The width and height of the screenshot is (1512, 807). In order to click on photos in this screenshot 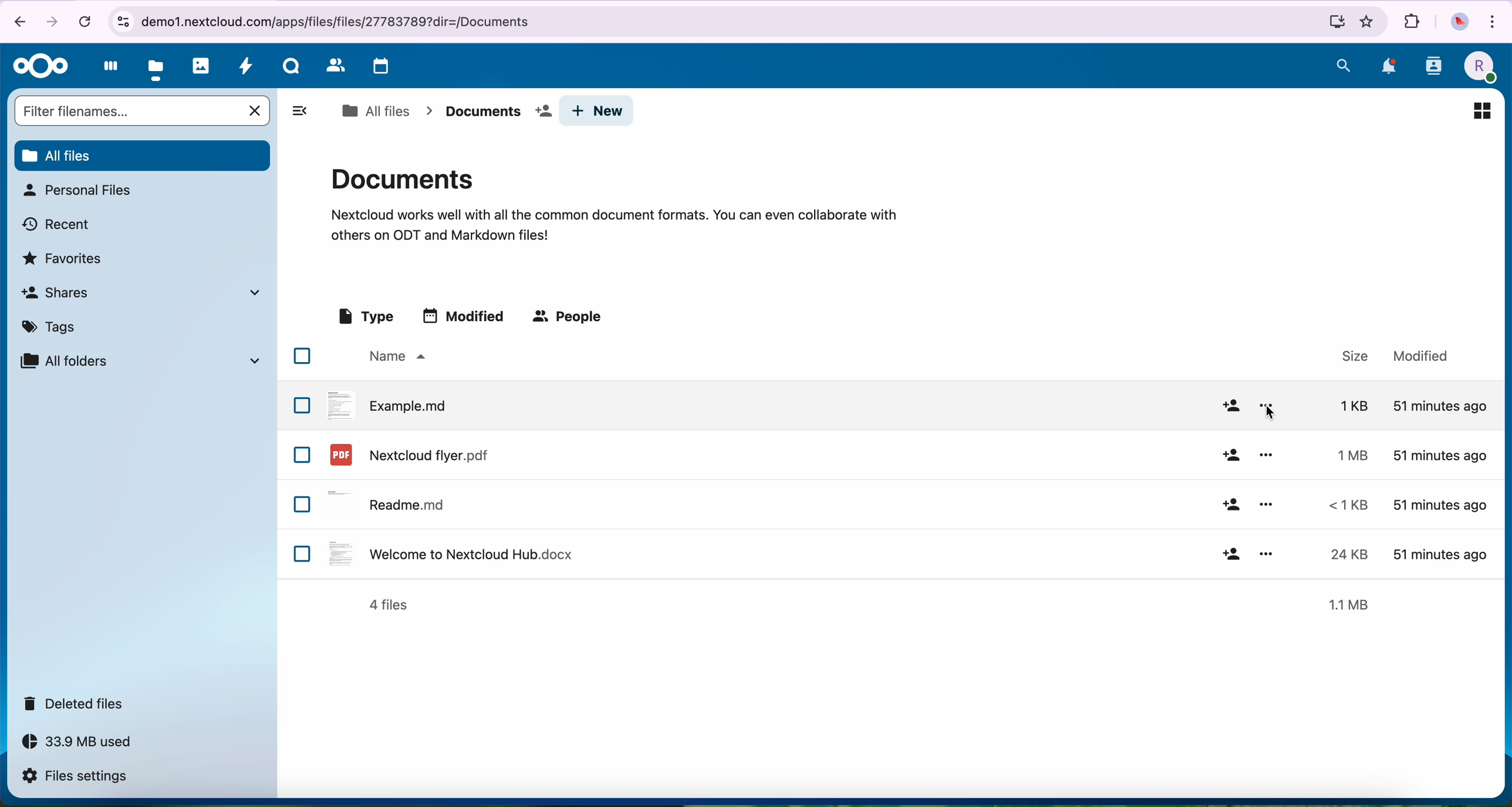, I will do `click(201, 66)`.